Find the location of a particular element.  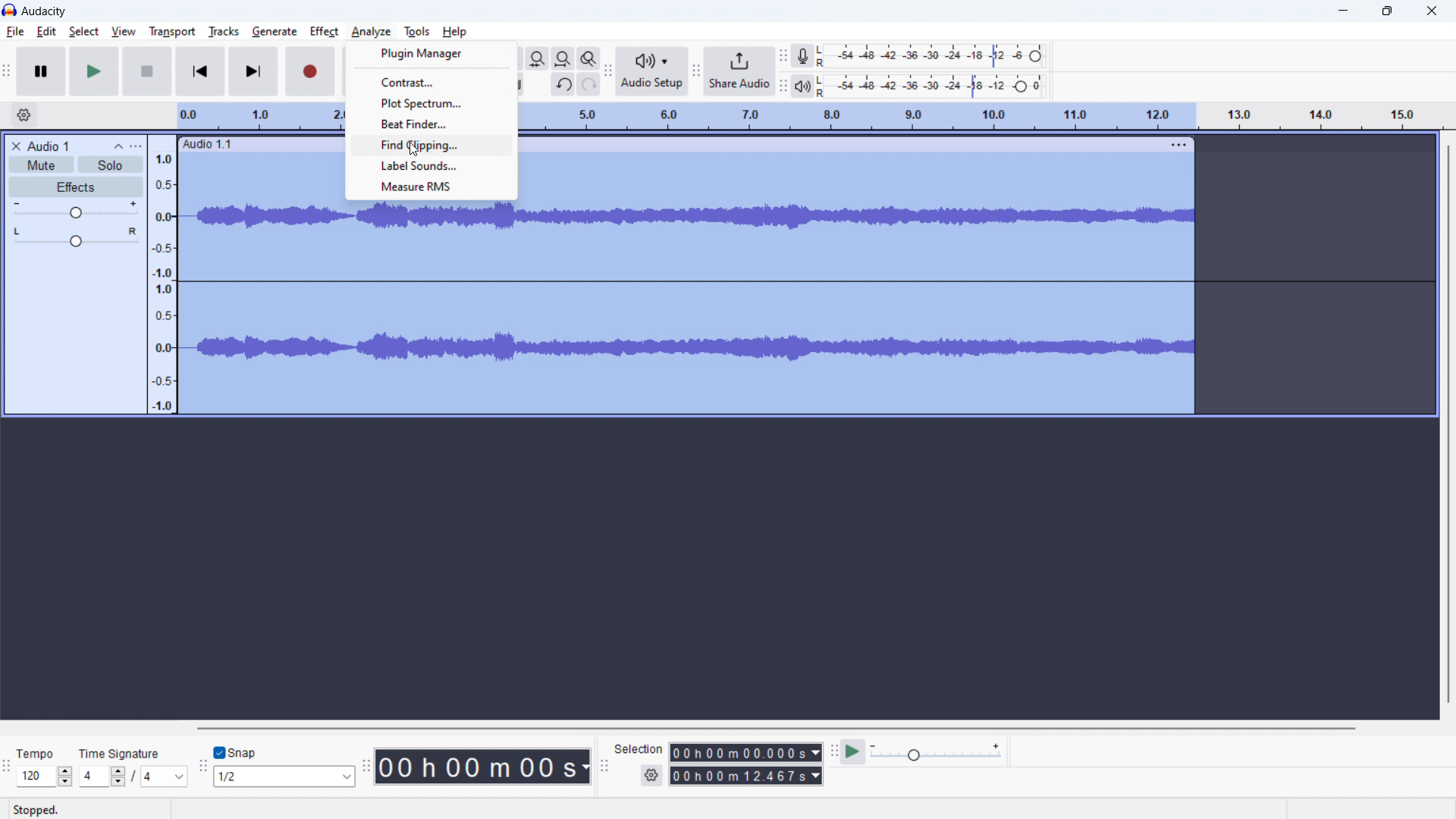

playback level is located at coordinates (931, 86).